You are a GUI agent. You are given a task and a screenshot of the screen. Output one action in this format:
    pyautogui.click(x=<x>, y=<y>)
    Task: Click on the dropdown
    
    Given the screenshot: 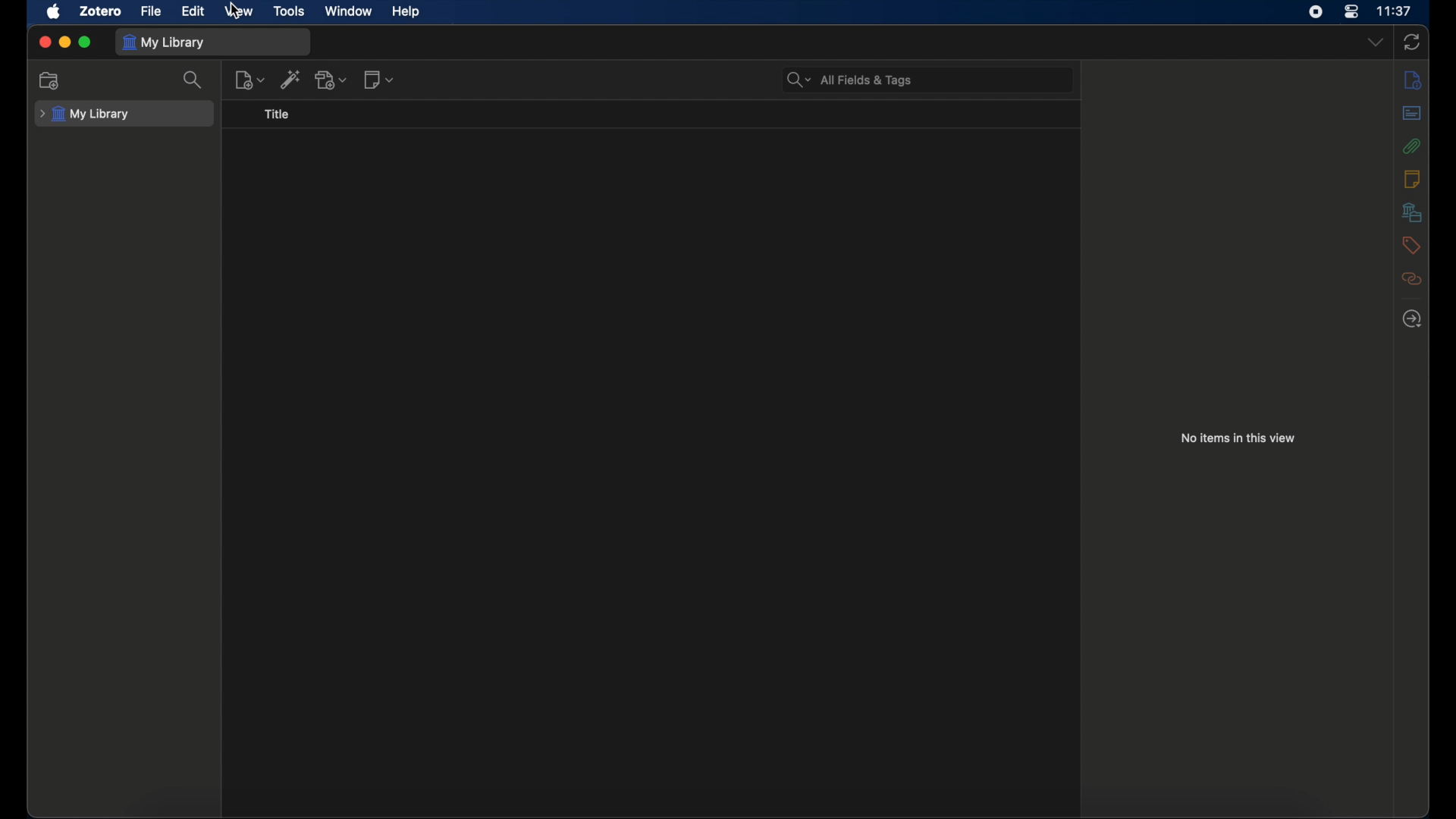 What is the action you would take?
    pyautogui.click(x=1374, y=41)
    